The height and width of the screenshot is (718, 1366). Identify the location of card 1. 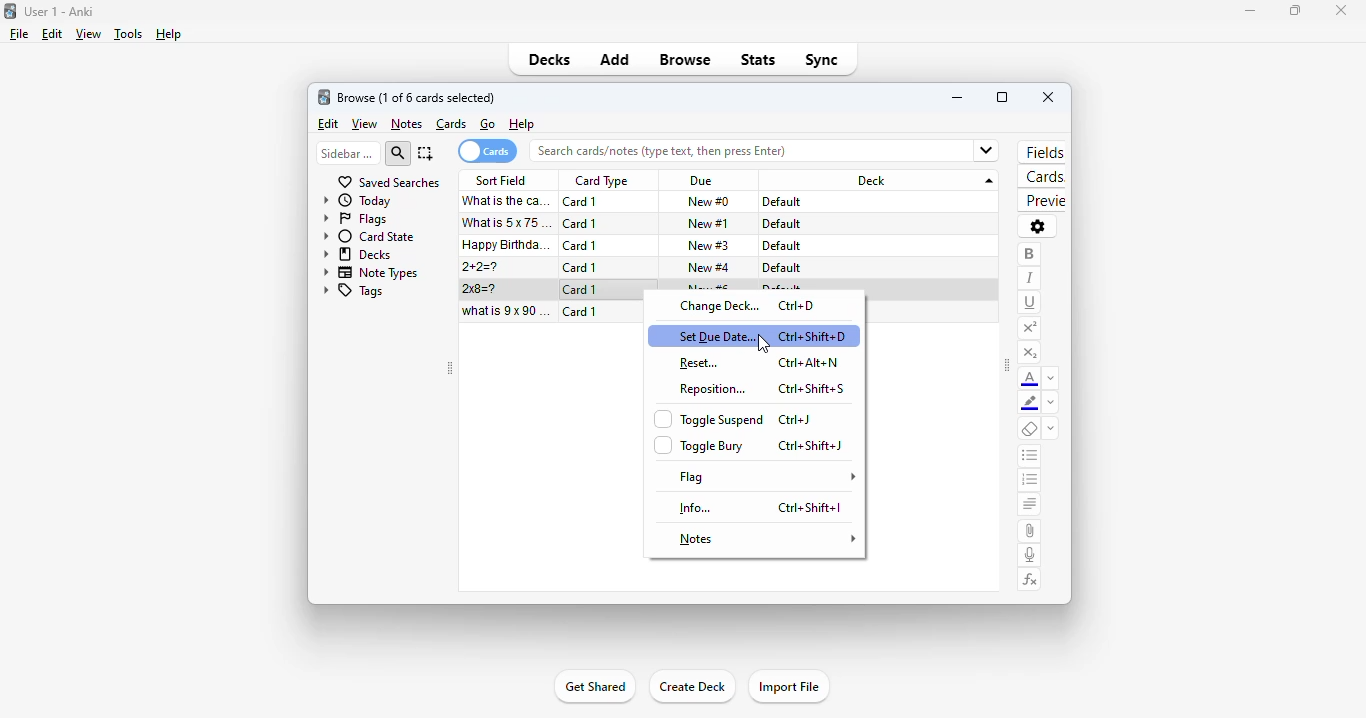
(580, 290).